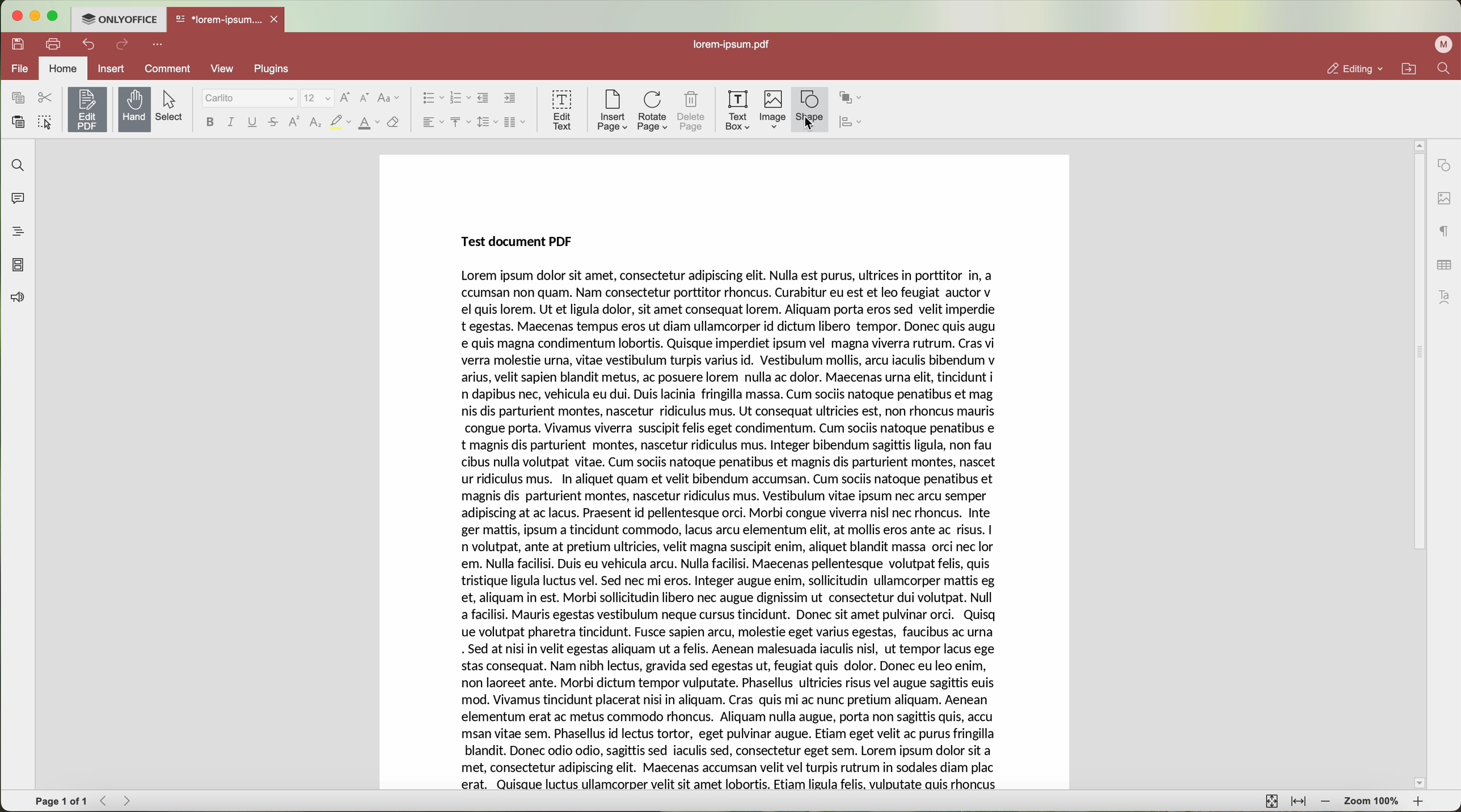  I want to click on decrease indent, so click(484, 98).